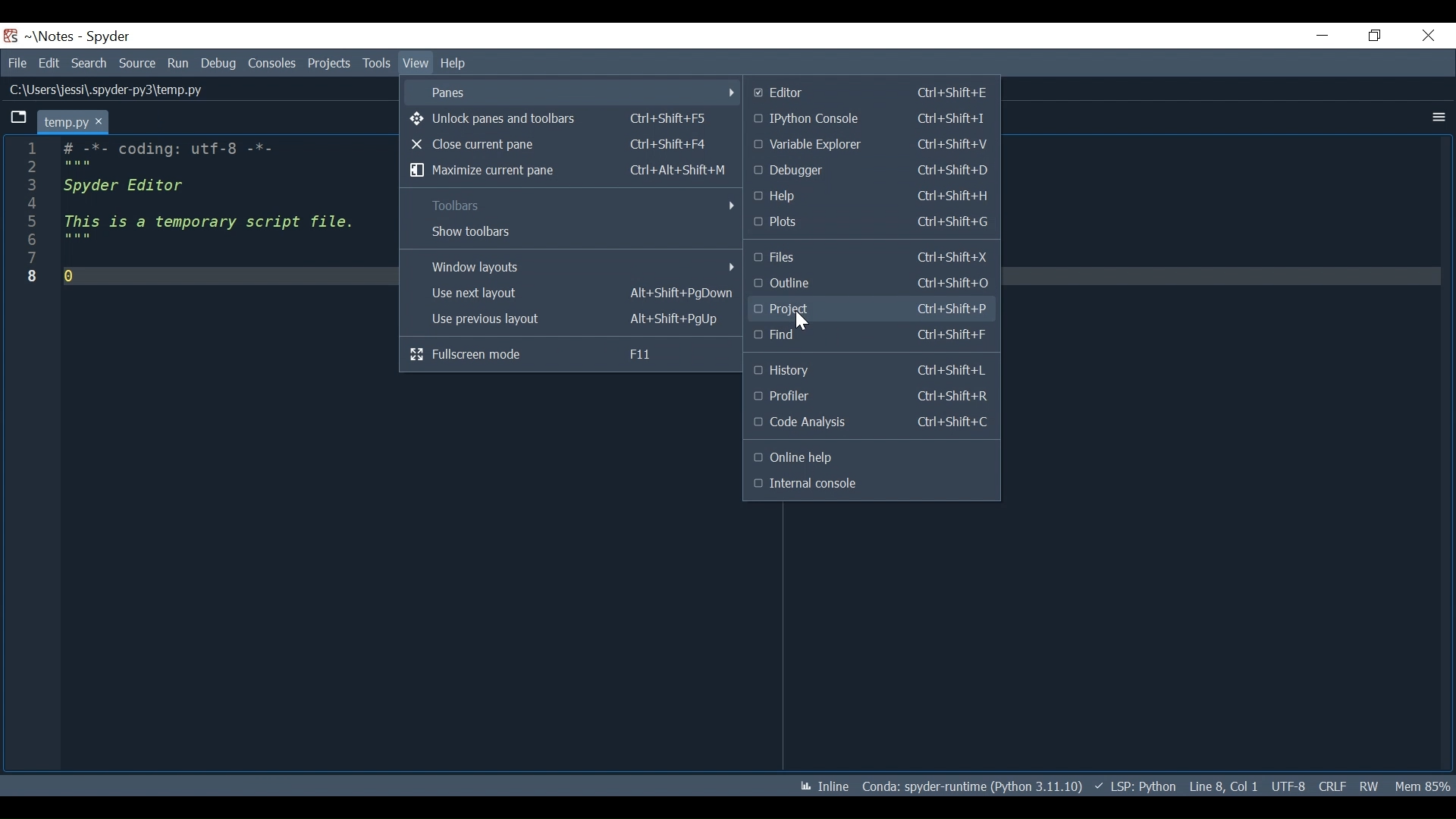 The width and height of the screenshot is (1456, 819). I want to click on Run, so click(178, 64).